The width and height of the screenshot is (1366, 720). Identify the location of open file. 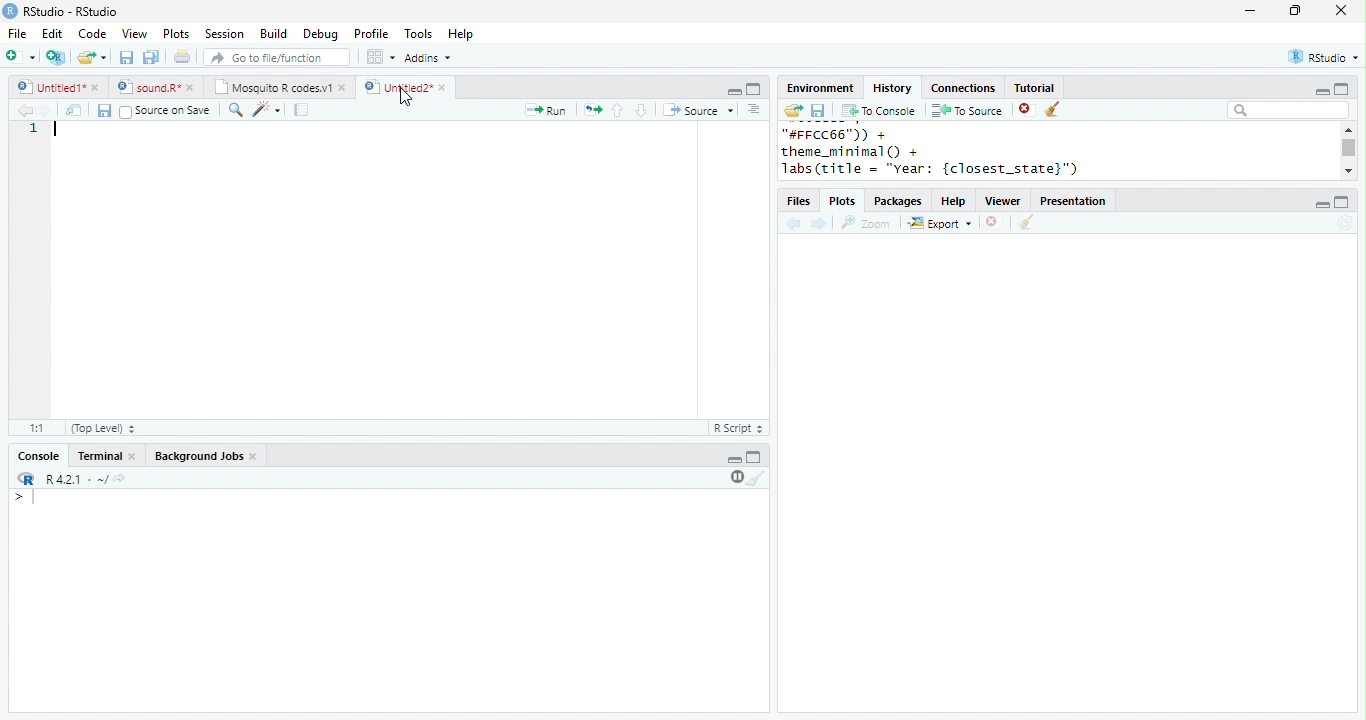
(92, 58).